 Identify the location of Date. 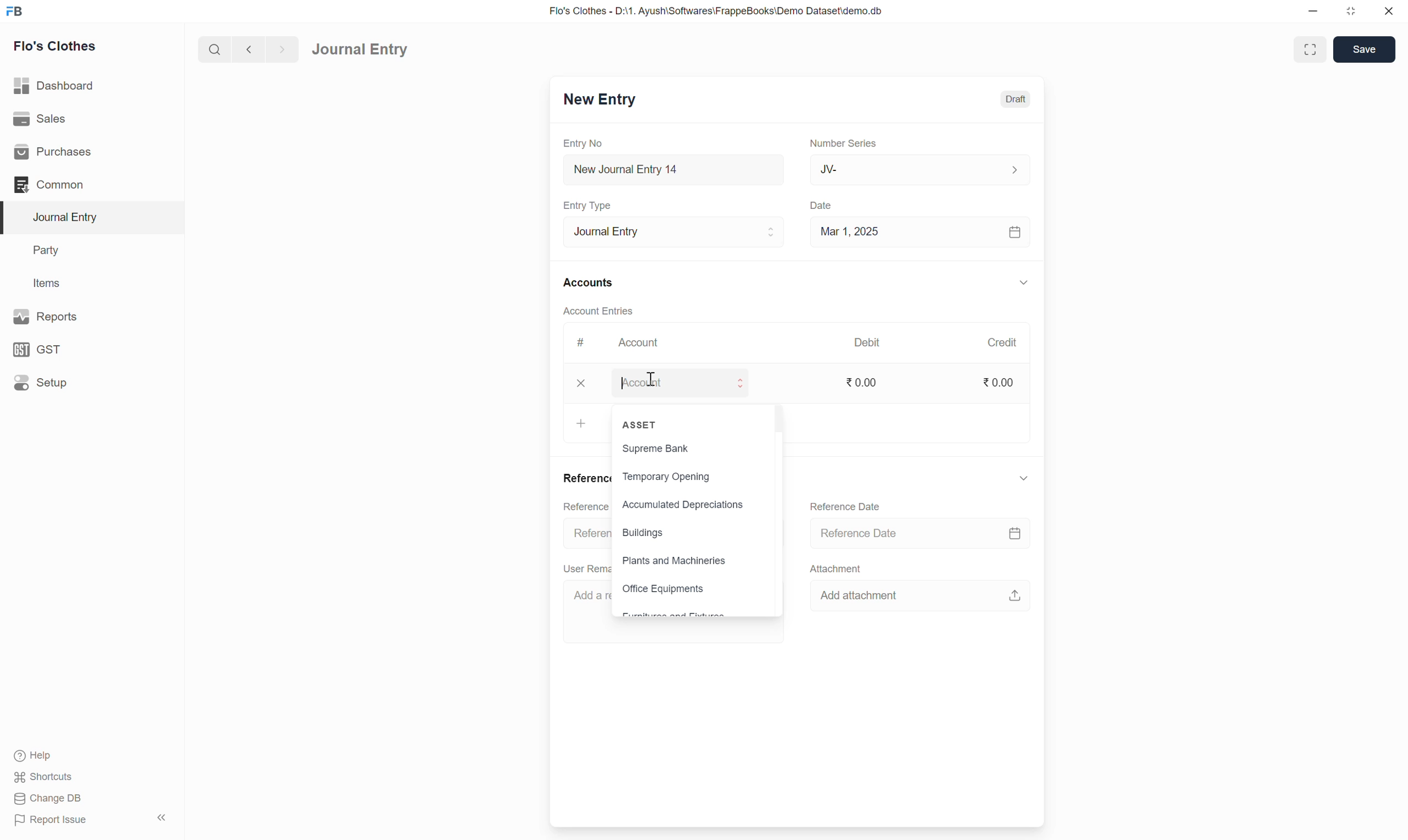
(824, 206).